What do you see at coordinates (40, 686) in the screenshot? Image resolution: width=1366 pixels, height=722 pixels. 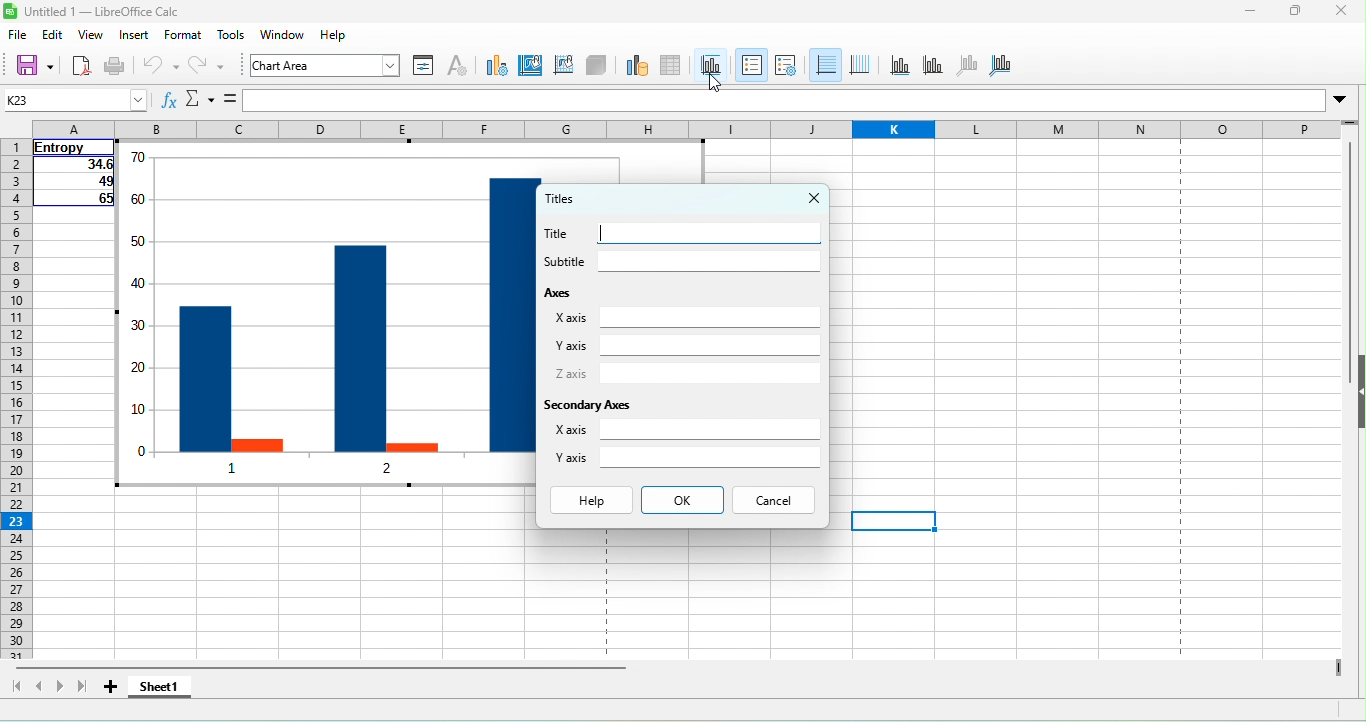 I see `scroll to previous sheet` at bounding box center [40, 686].